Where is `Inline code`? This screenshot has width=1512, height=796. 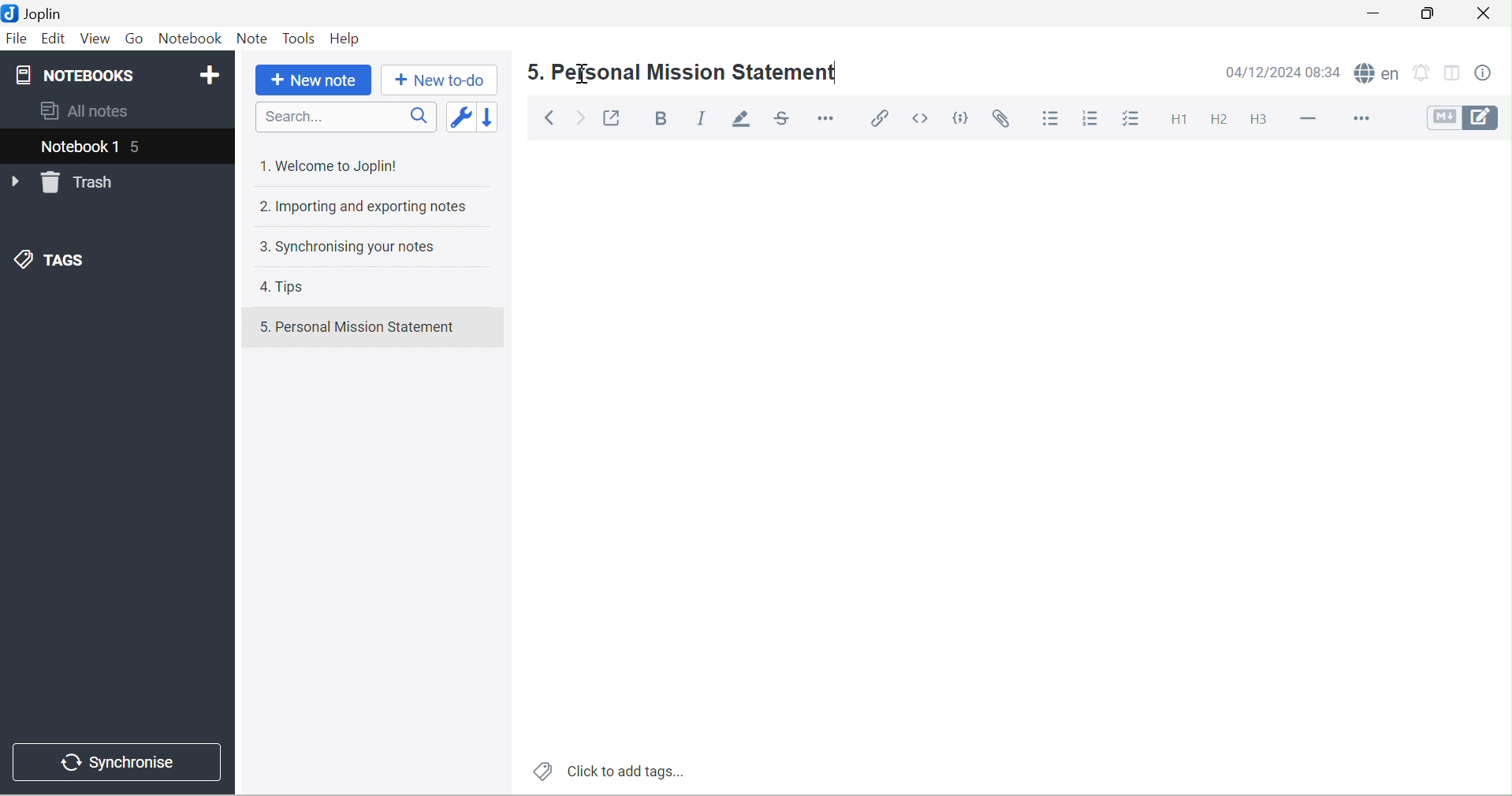 Inline code is located at coordinates (919, 119).